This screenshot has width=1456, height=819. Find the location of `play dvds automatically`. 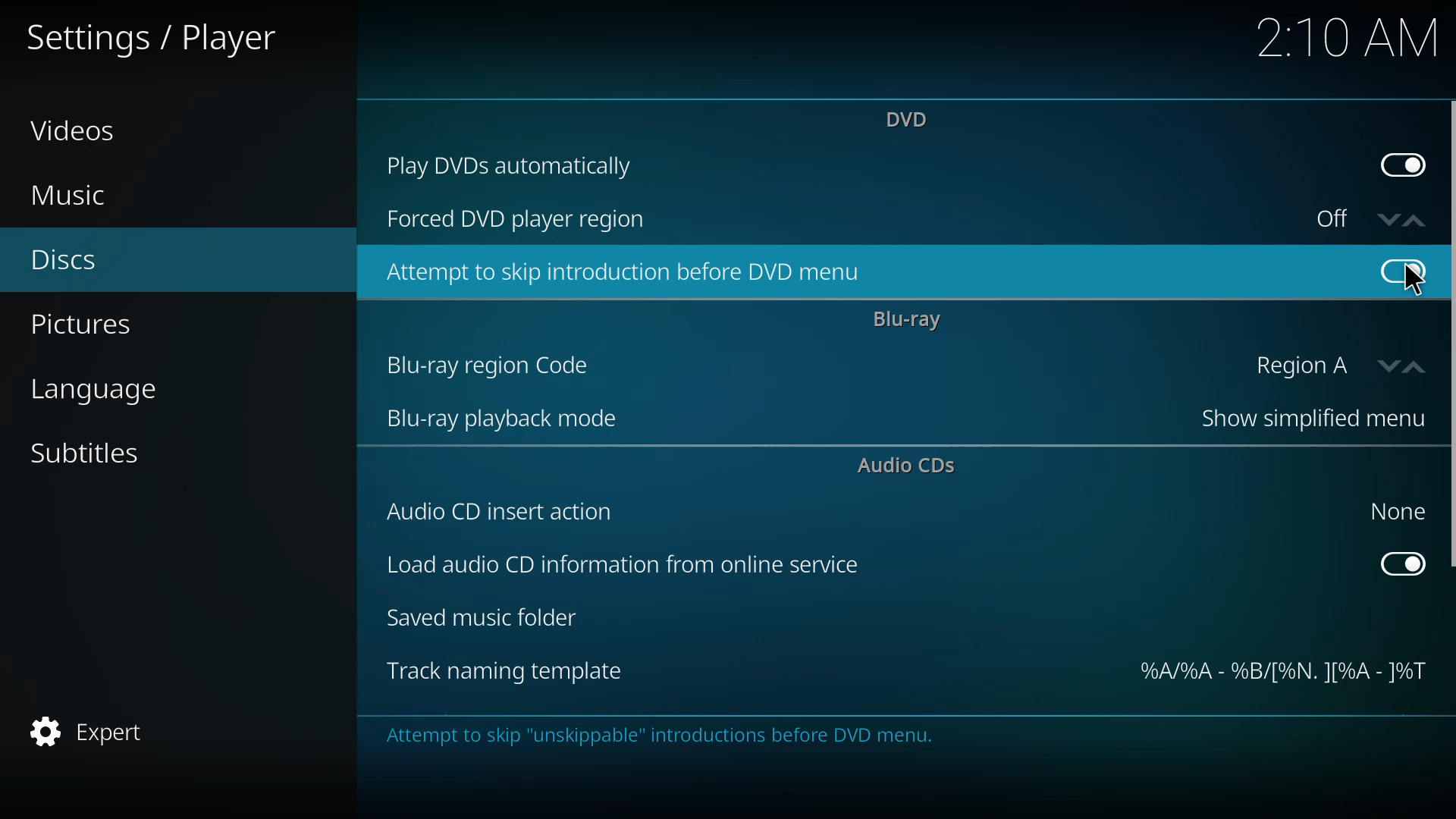

play dvds automatically is located at coordinates (517, 163).